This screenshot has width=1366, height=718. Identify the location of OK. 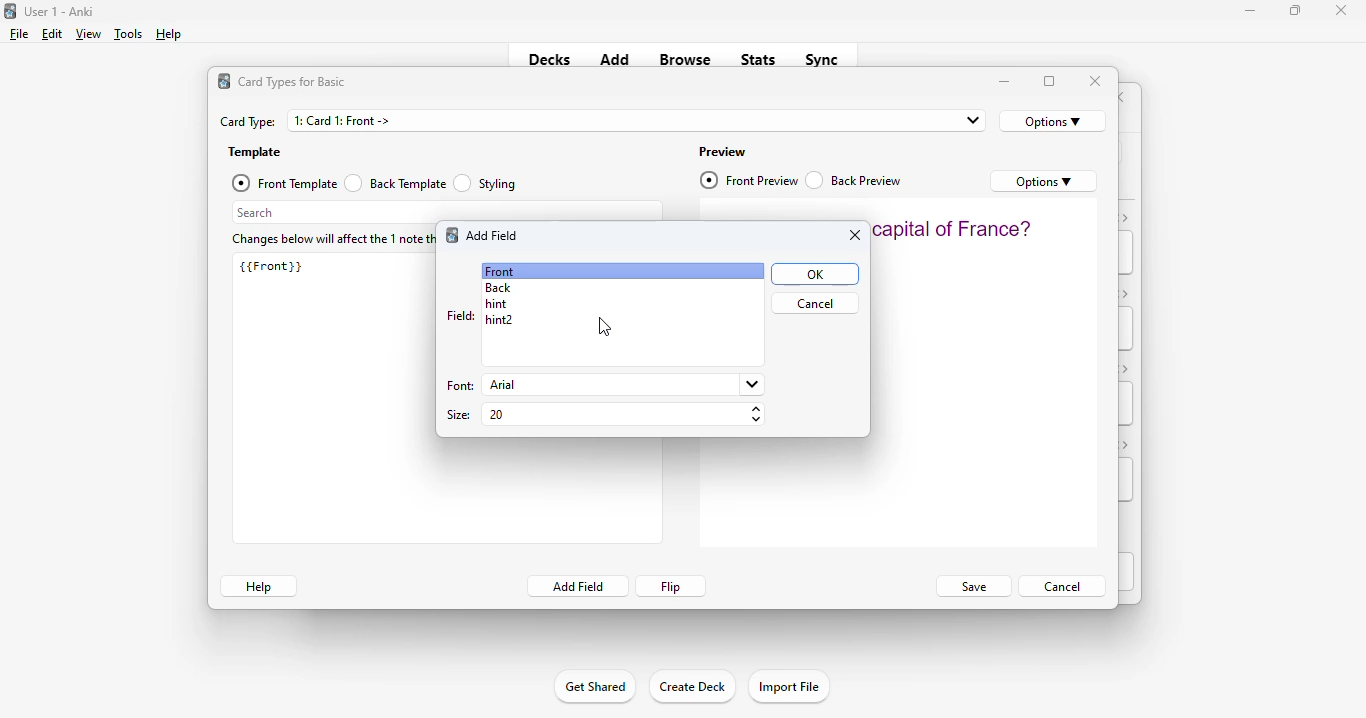
(814, 274).